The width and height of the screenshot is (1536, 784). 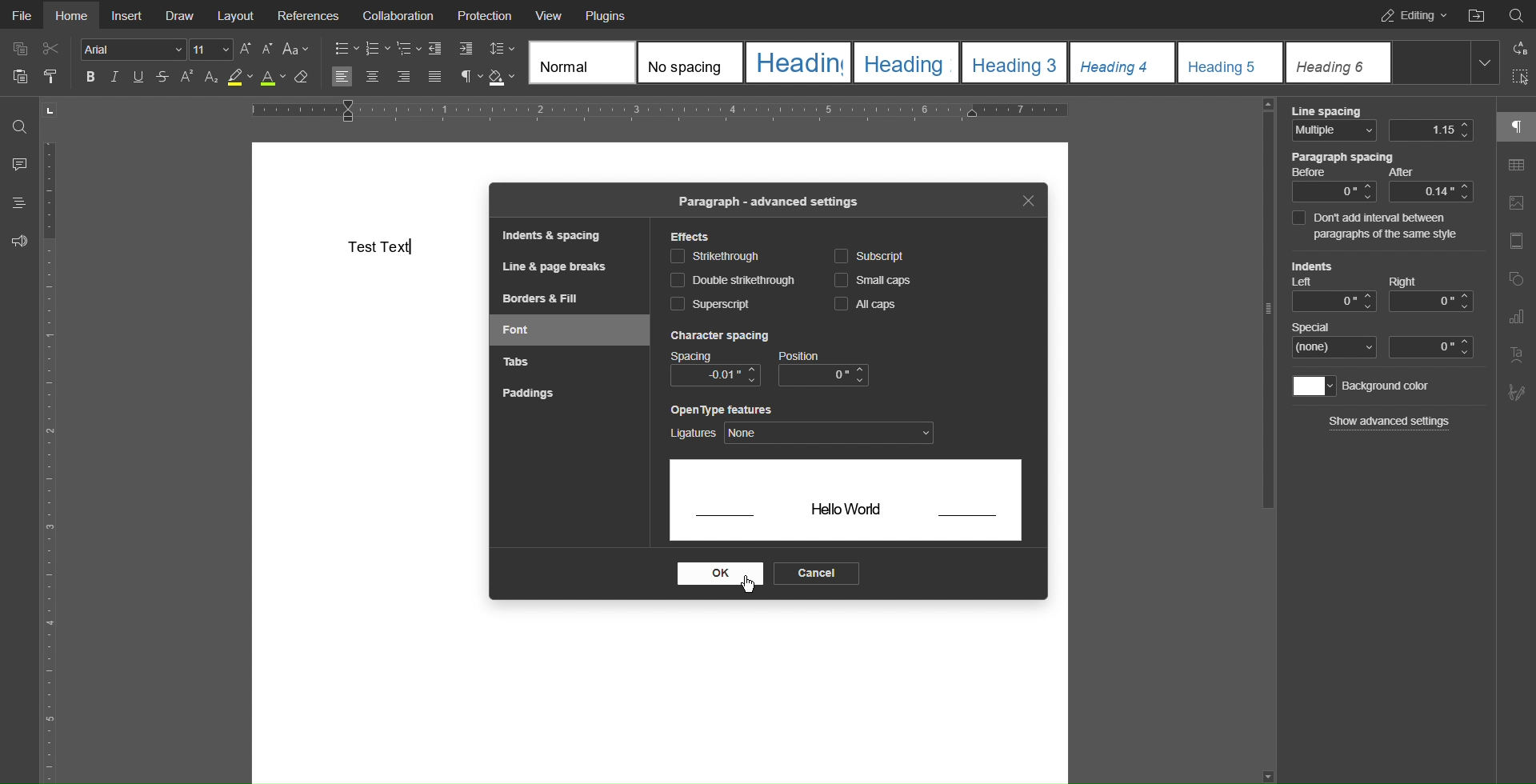 What do you see at coordinates (19, 126) in the screenshot?
I see `Search` at bounding box center [19, 126].